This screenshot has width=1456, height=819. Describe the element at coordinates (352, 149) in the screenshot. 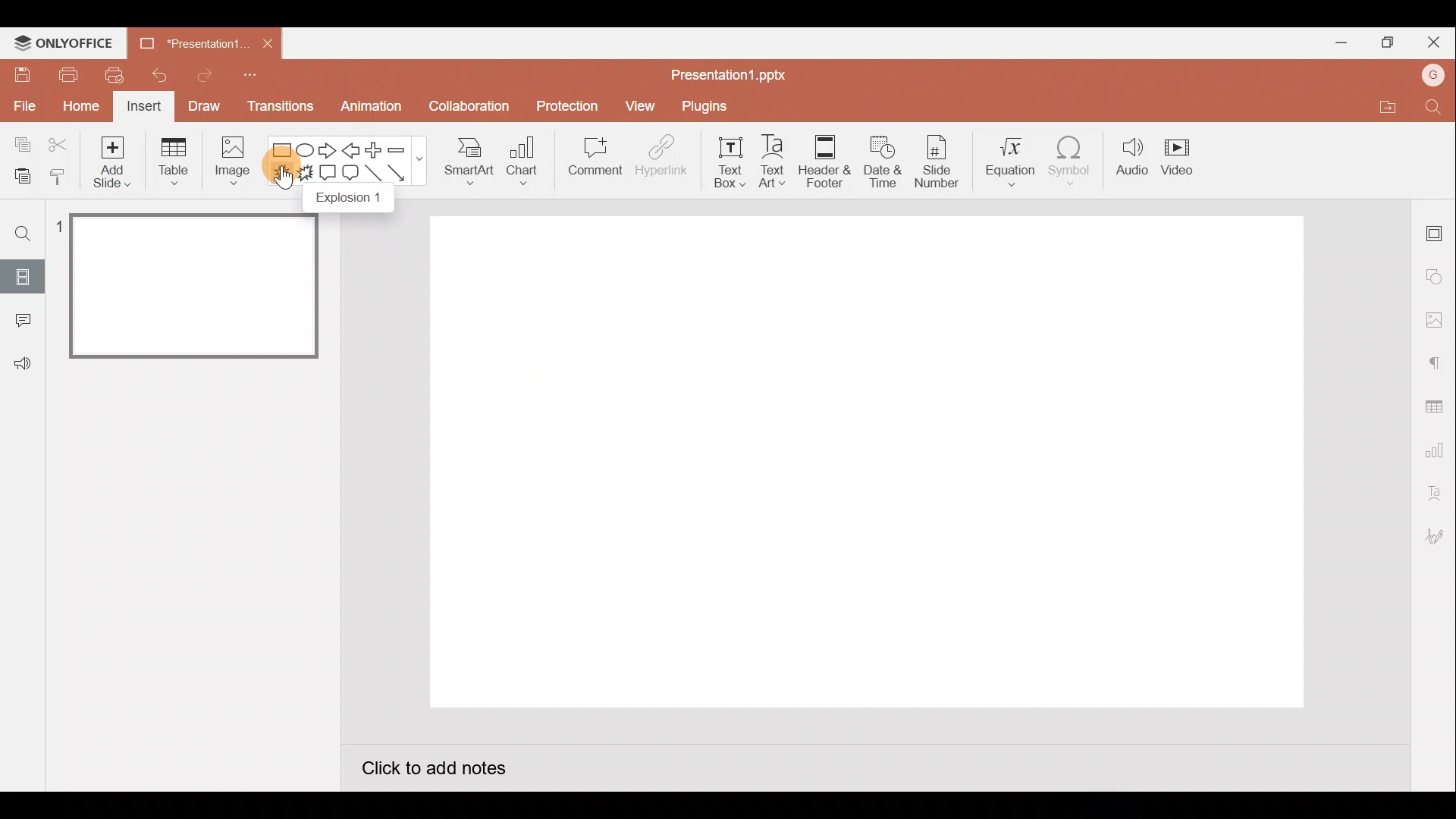

I see `Left arrow` at that location.